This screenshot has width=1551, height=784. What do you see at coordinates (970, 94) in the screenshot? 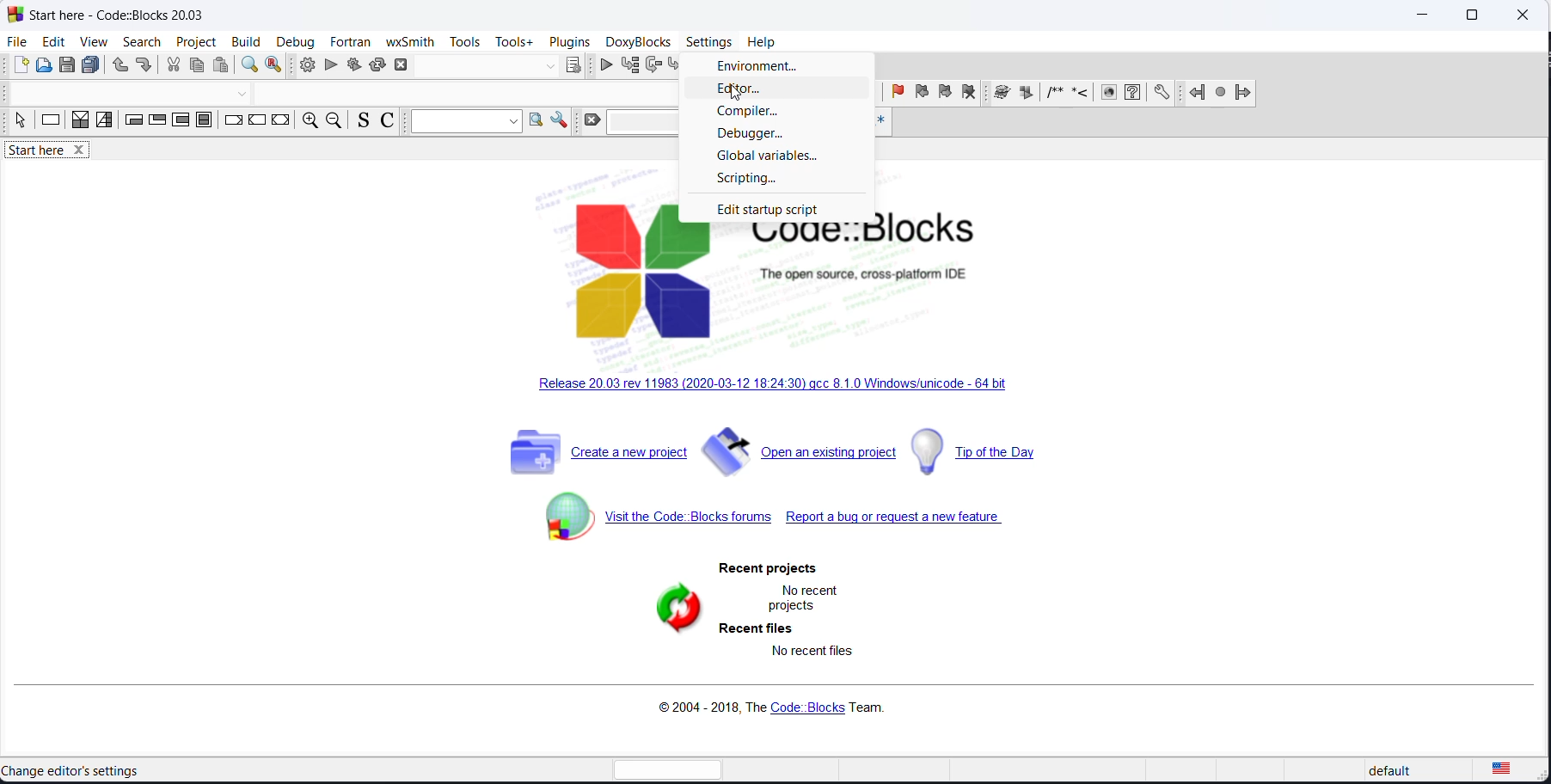
I see `remove bookmark` at bounding box center [970, 94].